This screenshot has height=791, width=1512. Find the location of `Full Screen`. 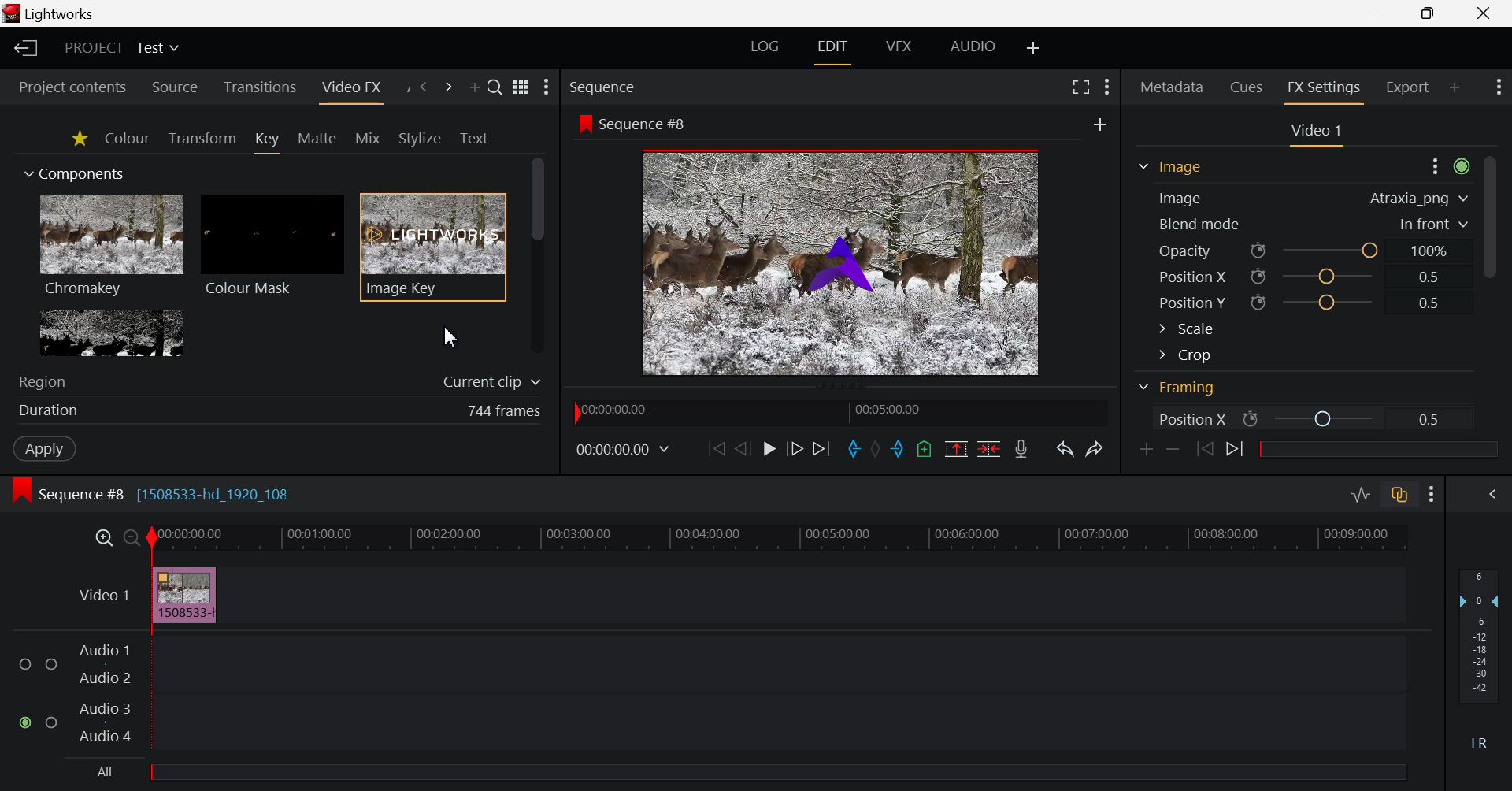

Full Screen is located at coordinates (1080, 87).